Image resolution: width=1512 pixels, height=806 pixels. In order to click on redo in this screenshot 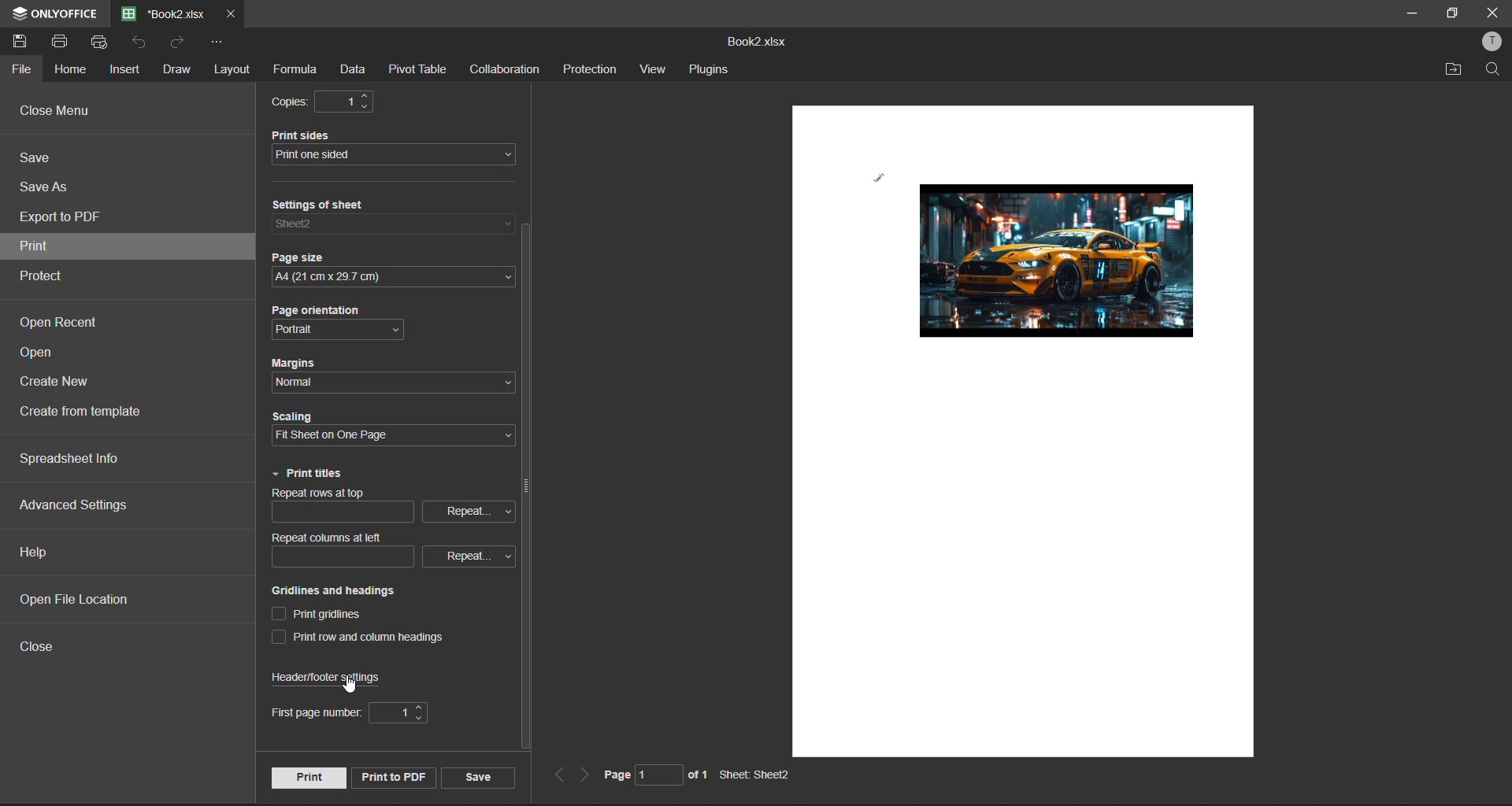, I will do `click(180, 45)`.